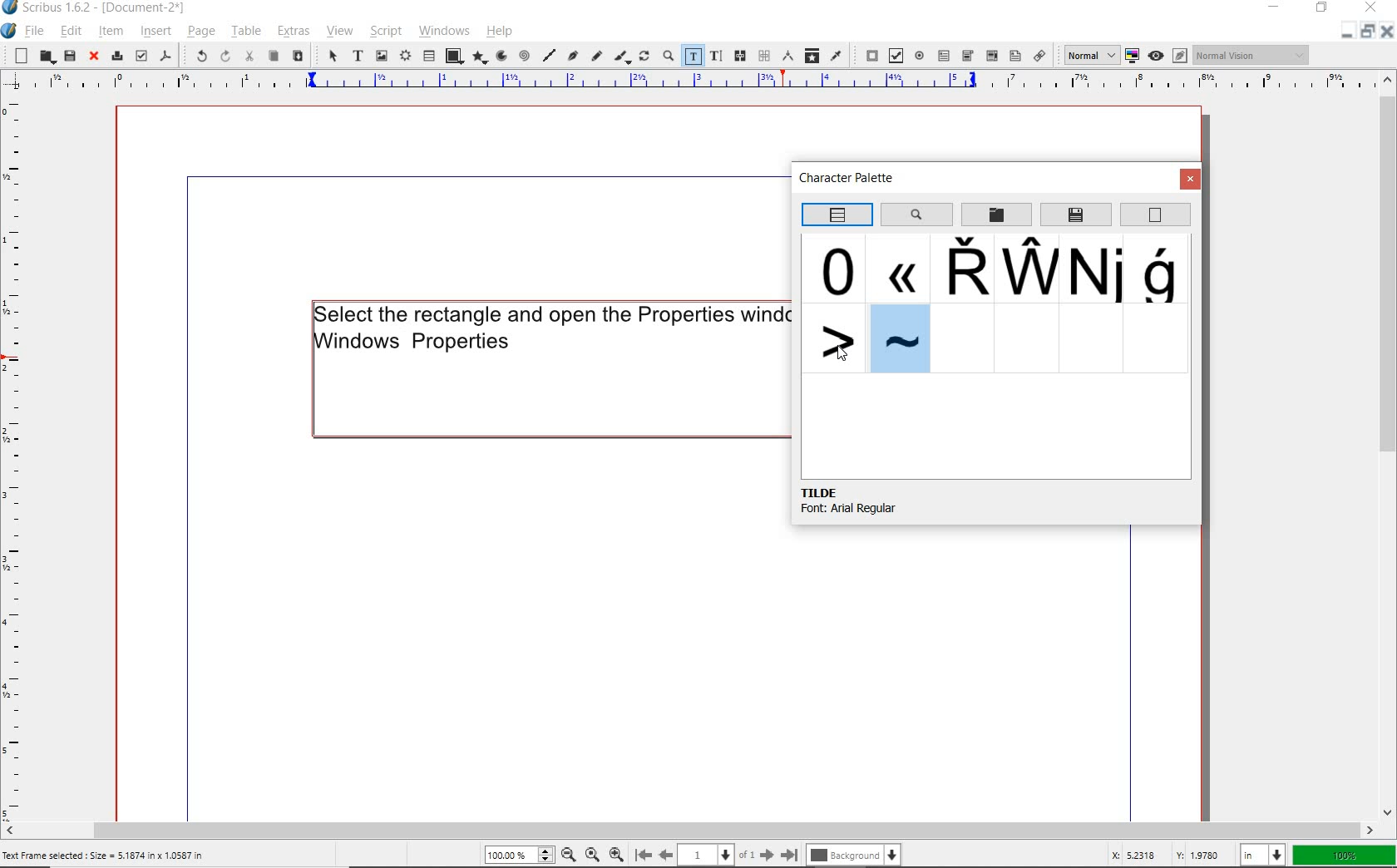  Describe the element at coordinates (548, 326) in the screenshot. I see `text` at that location.